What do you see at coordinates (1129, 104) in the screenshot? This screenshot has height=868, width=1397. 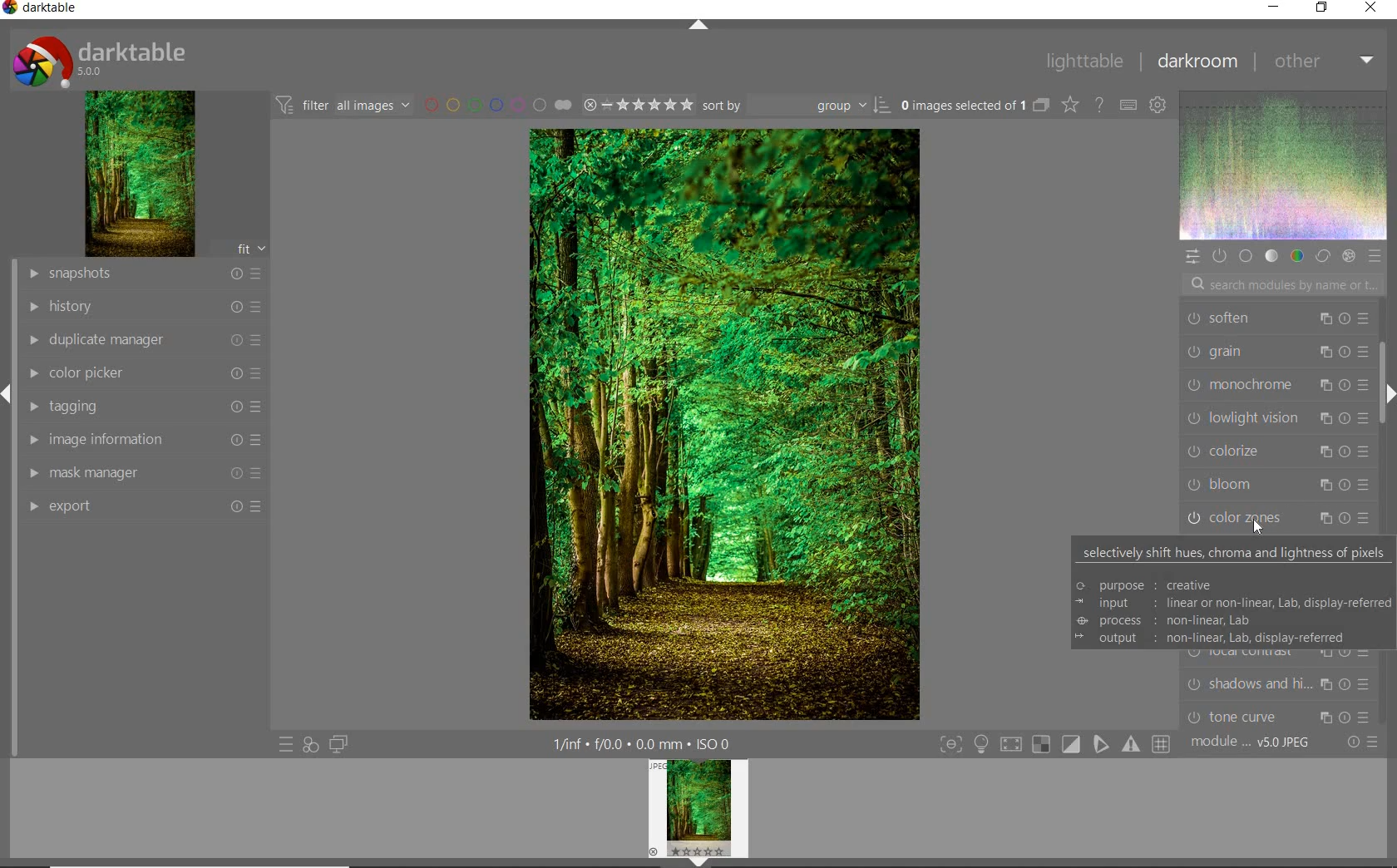 I see `DEFINE KEYBOARD SHOTCUT` at bounding box center [1129, 104].